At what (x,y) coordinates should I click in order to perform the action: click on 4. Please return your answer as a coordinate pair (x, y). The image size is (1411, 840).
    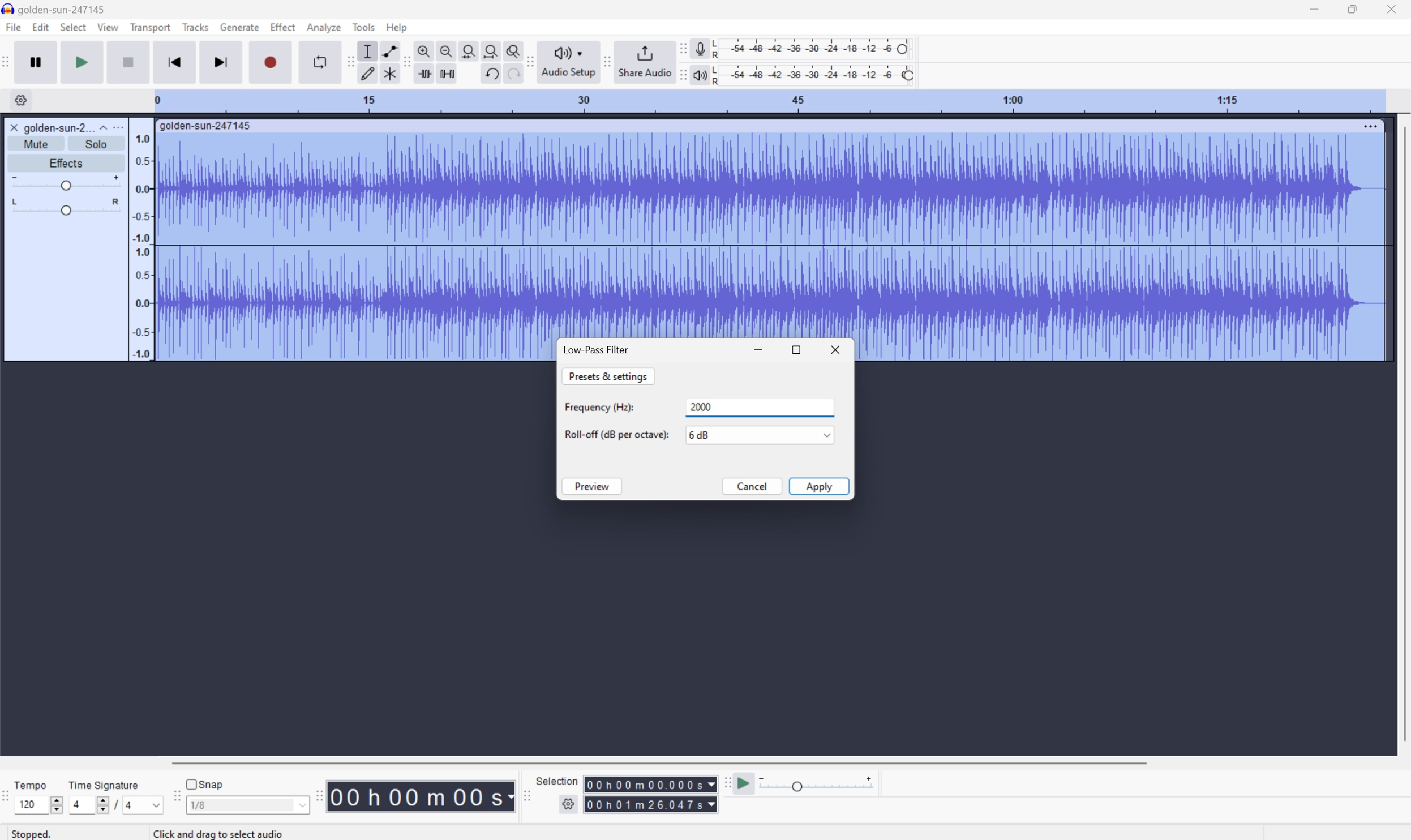
    Looking at the image, I should click on (145, 805).